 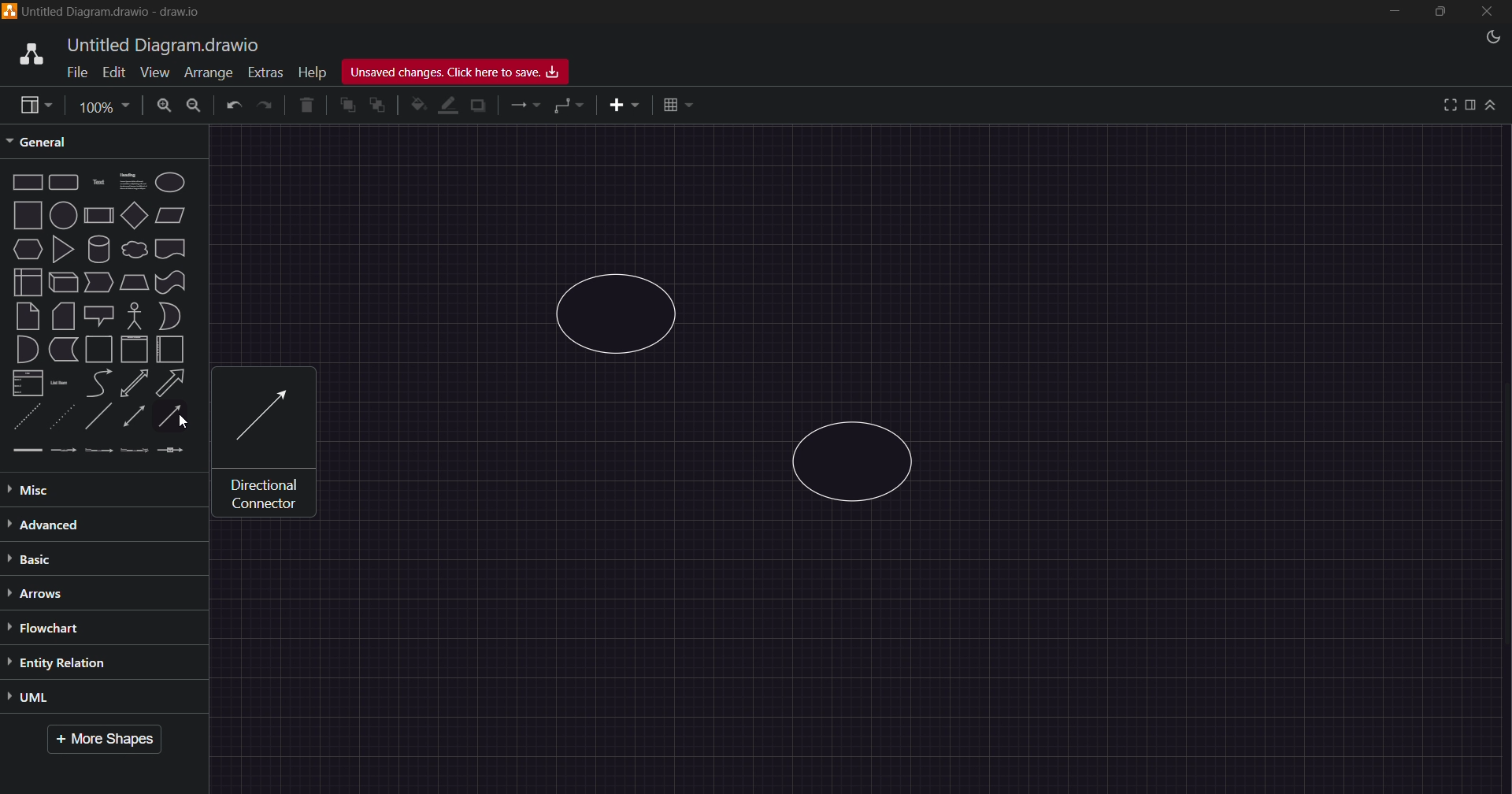 What do you see at coordinates (1488, 12) in the screenshot?
I see `Close` at bounding box center [1488, 12].